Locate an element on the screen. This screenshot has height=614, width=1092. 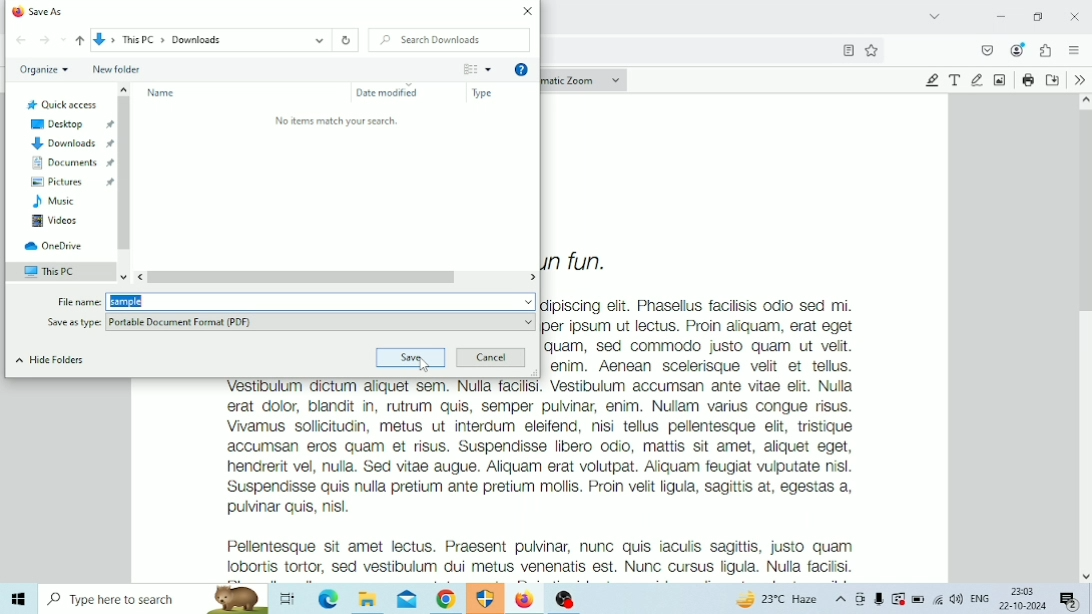
Battery is located at coordinates (919, 599).